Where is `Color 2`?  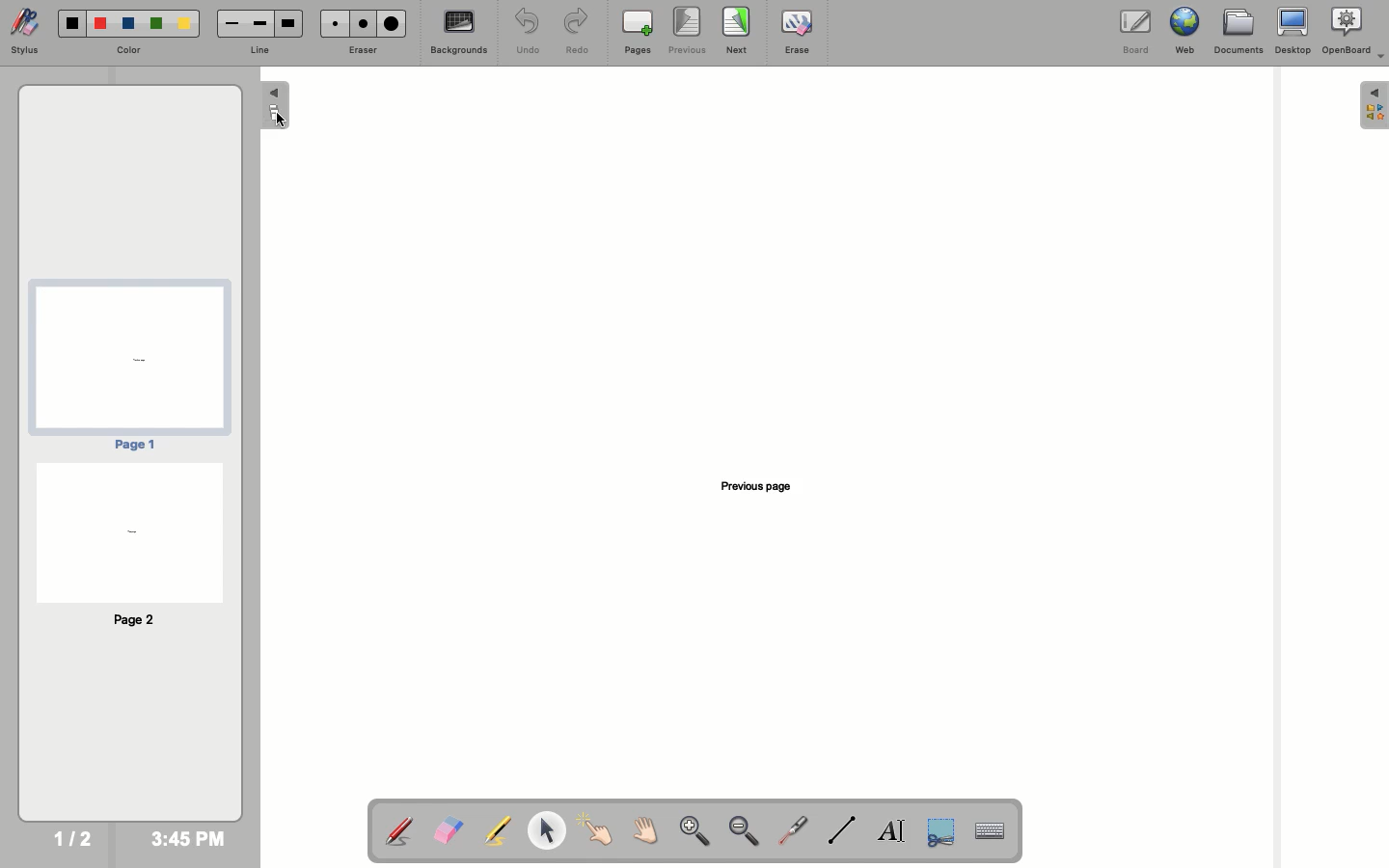 Color 2 is located at coordinates (100, 24).